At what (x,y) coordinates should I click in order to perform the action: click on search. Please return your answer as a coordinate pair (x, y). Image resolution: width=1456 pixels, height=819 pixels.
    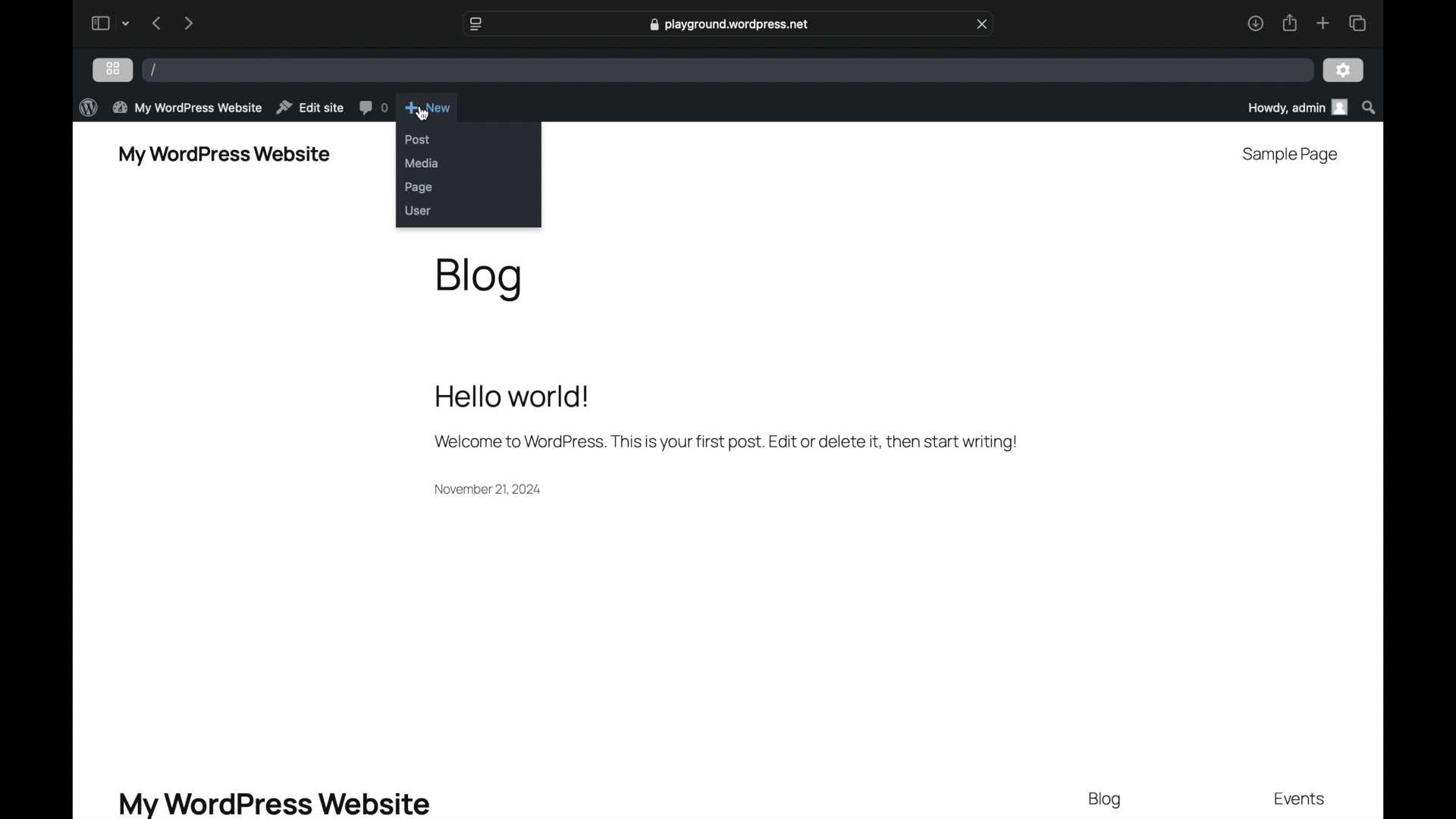
    Looking at the image, I should click on (1369, 107).